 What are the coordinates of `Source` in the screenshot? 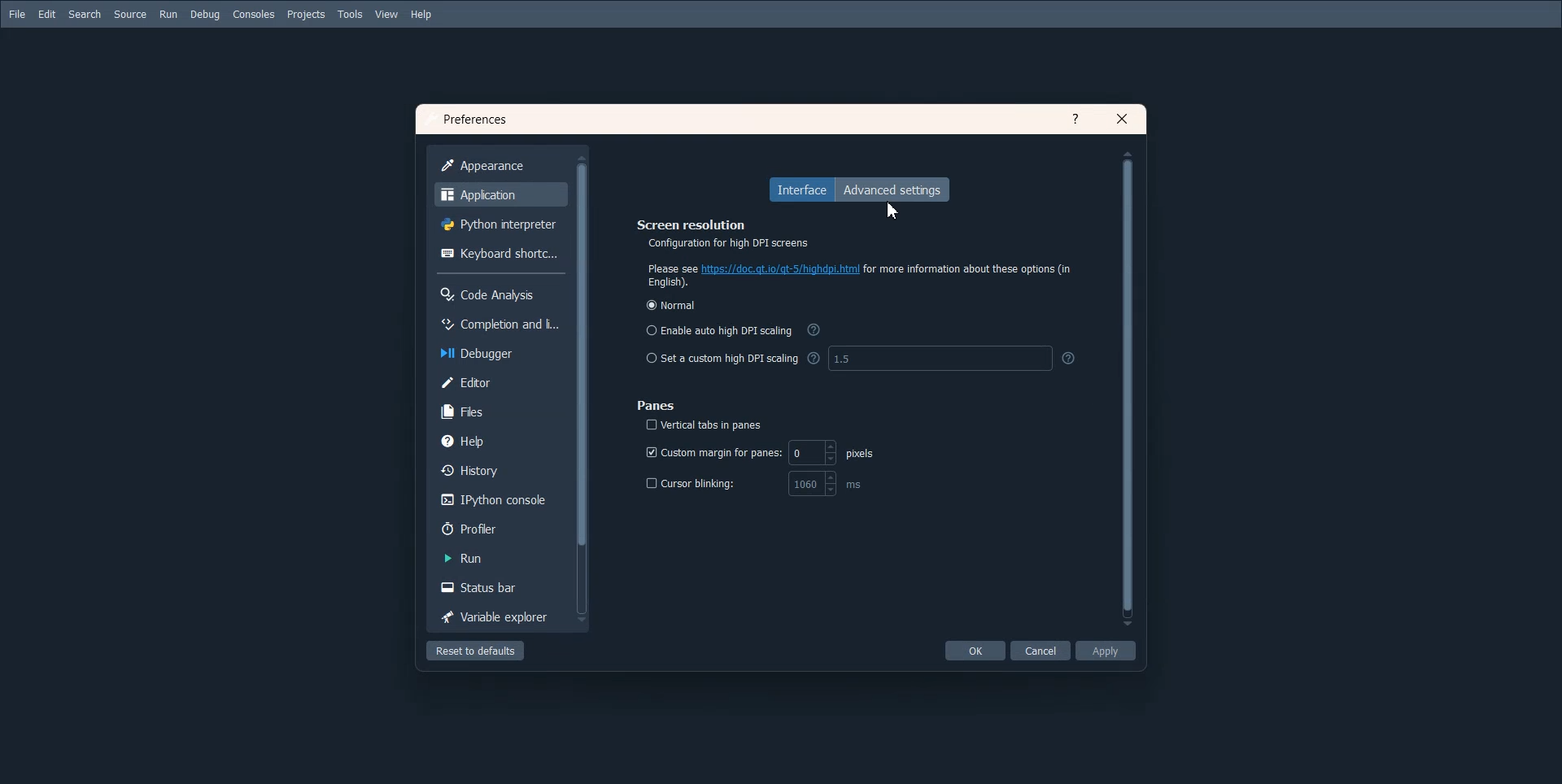 It's located at (131, 15).